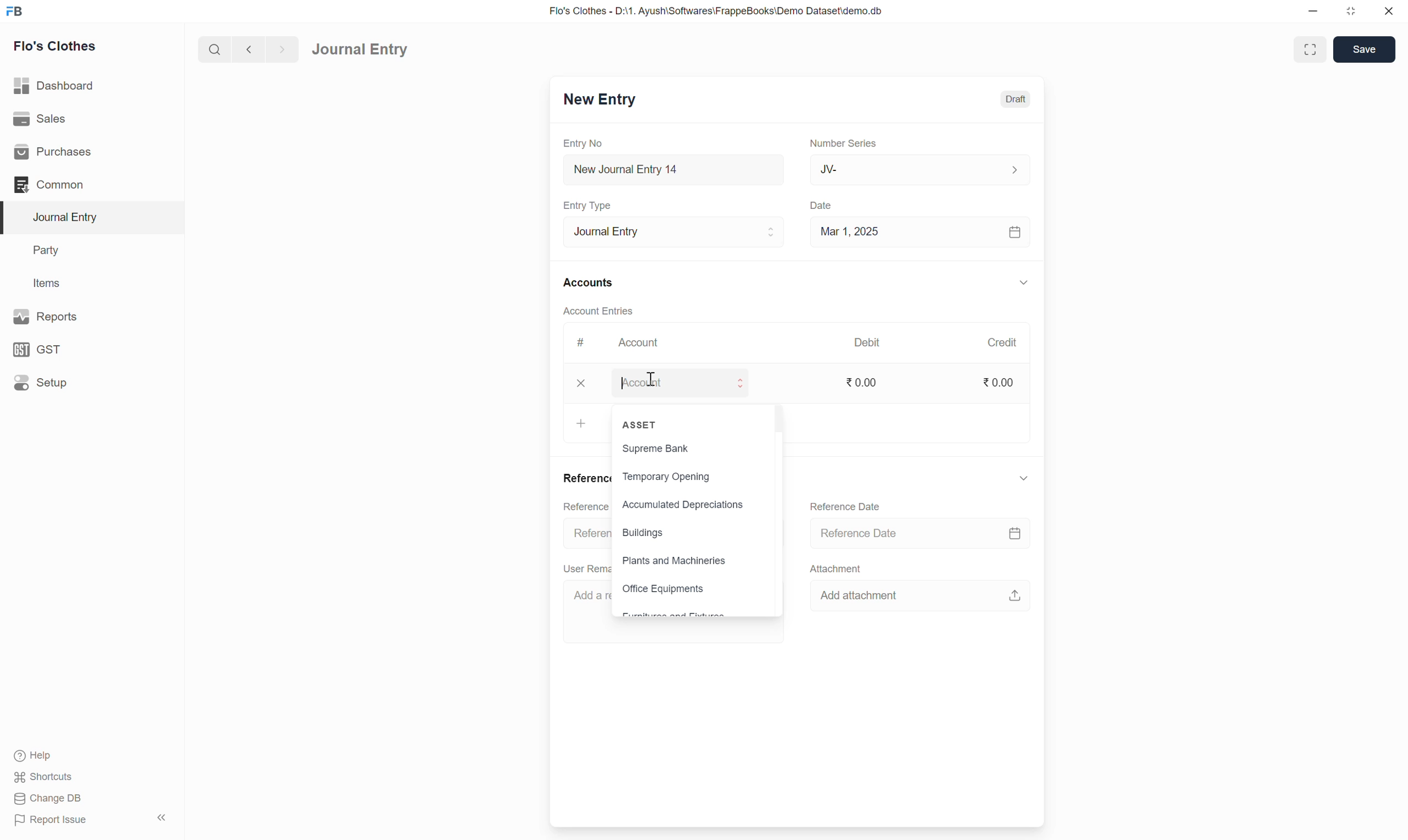 The width and height of the screenshot is (1408, 840). What do you see at coordinates (588, 595) in the screenshot?
I see `Add a re` at bounding box center [588, 595].